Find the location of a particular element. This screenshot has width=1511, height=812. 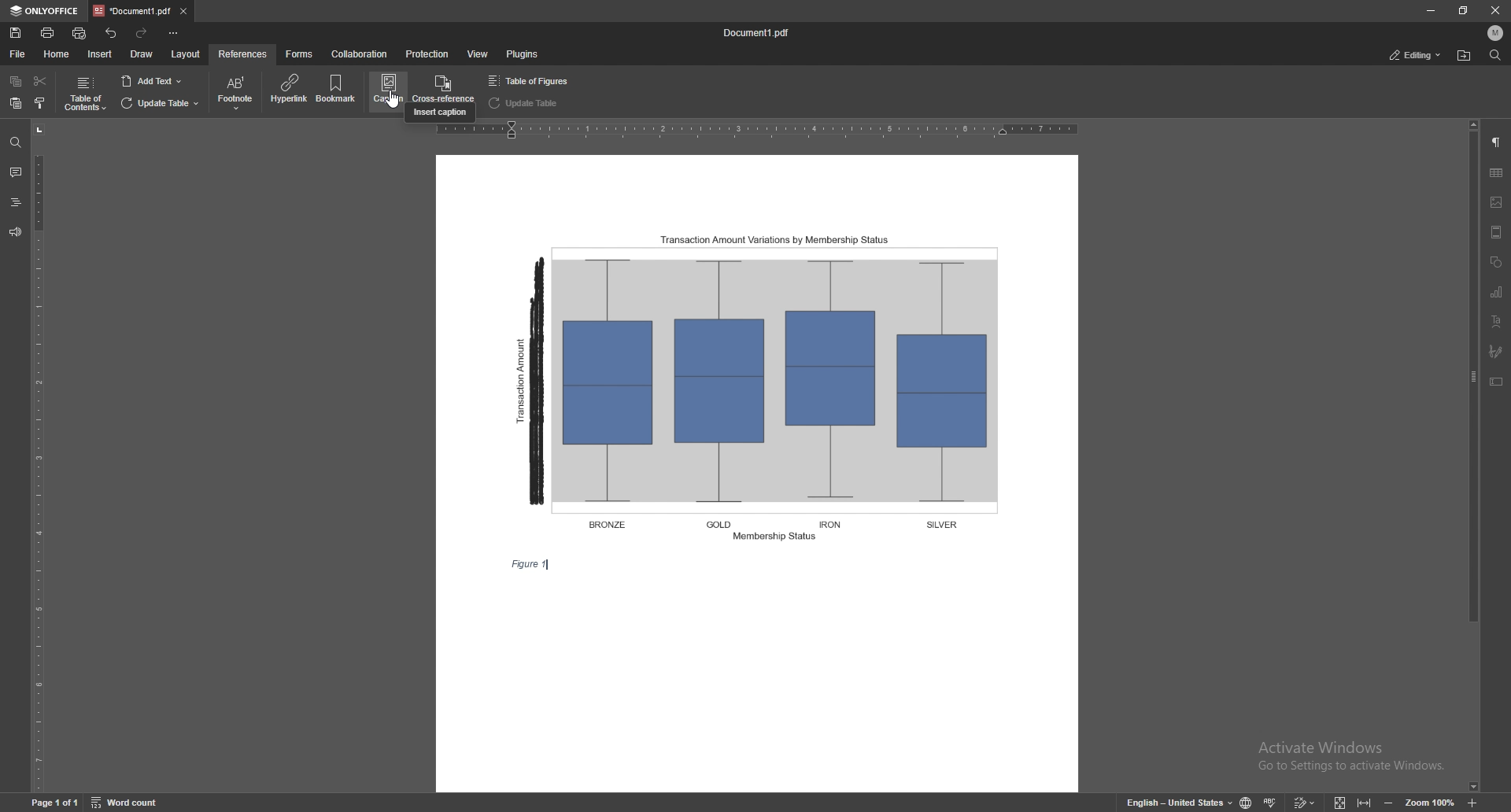

quick print is located at coordinates (82, 33).